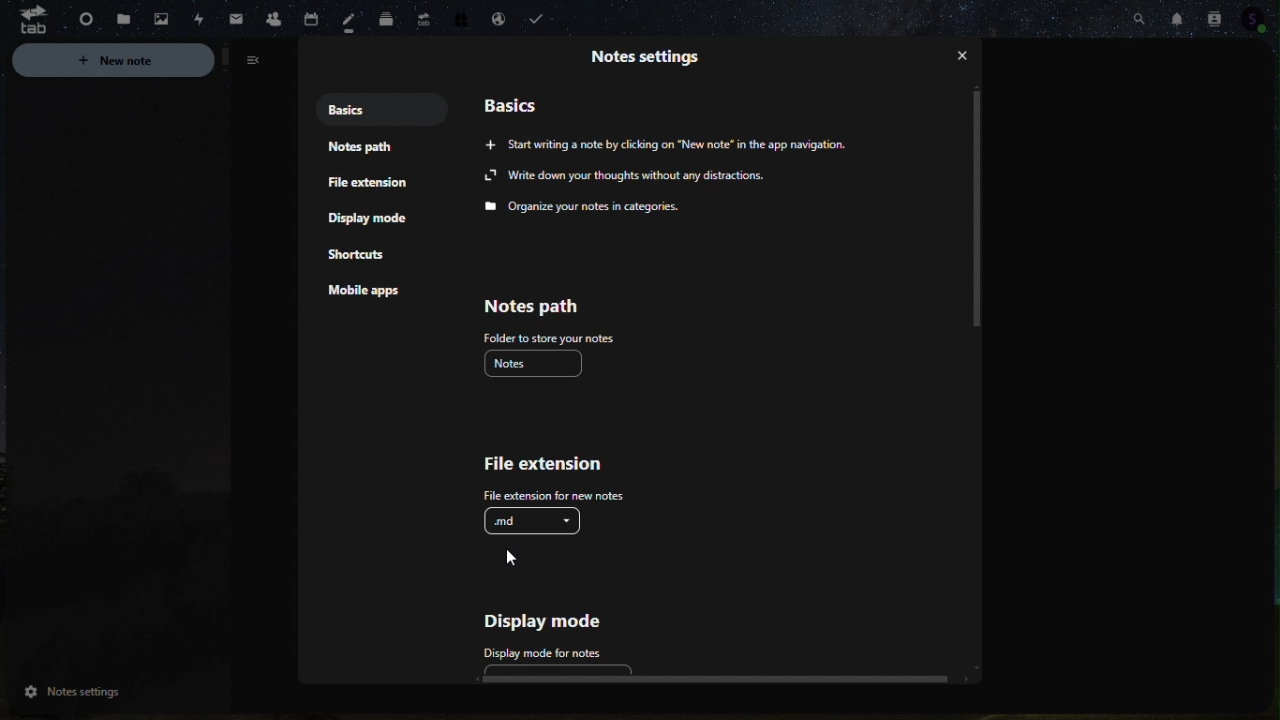  What do you see at coordinates (1262, 22) in the screenshot?
I see `Profile` at bounding box center [1262, 22].